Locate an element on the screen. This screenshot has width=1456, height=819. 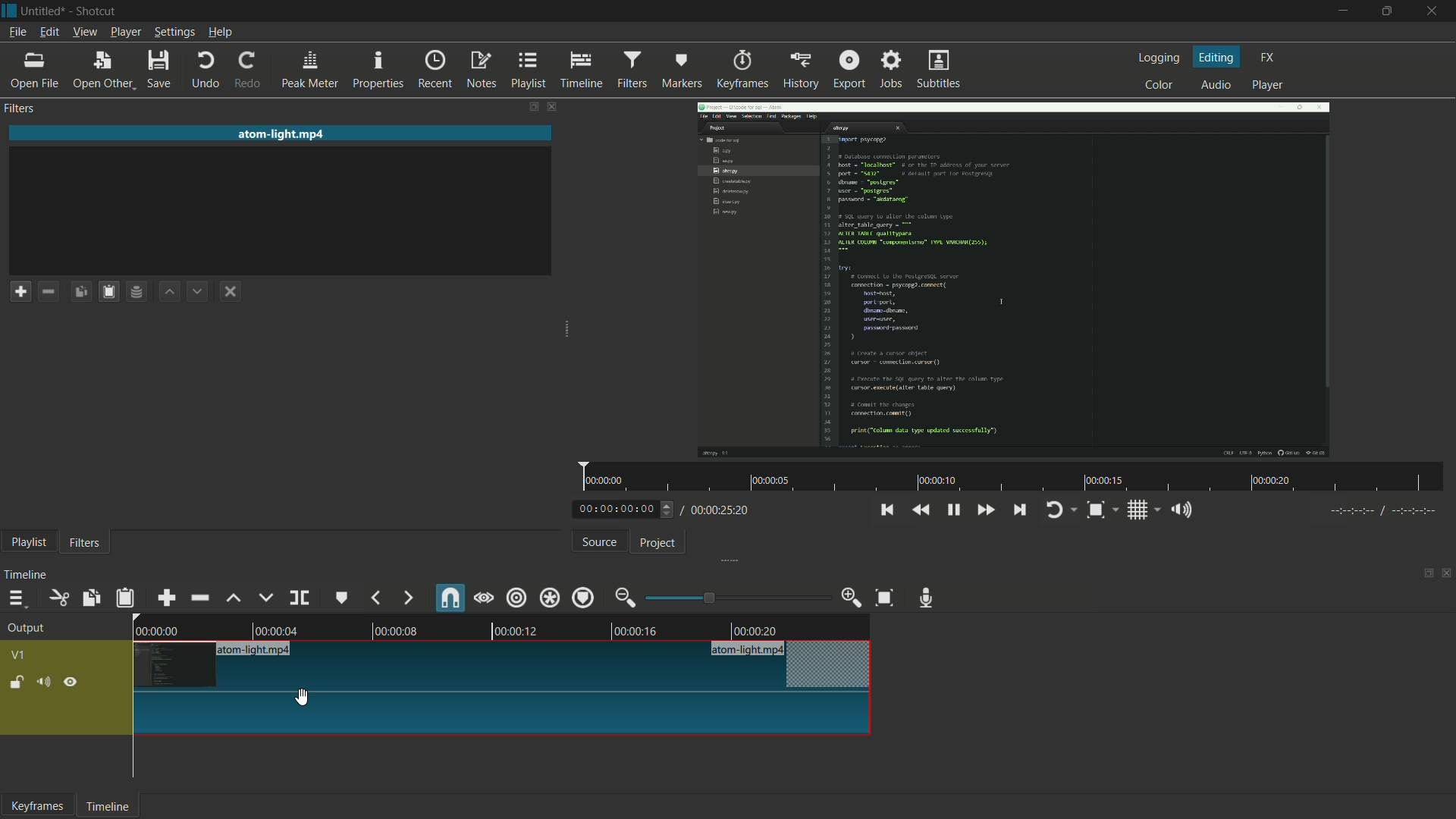
filters is located at coordinates (633, 69).